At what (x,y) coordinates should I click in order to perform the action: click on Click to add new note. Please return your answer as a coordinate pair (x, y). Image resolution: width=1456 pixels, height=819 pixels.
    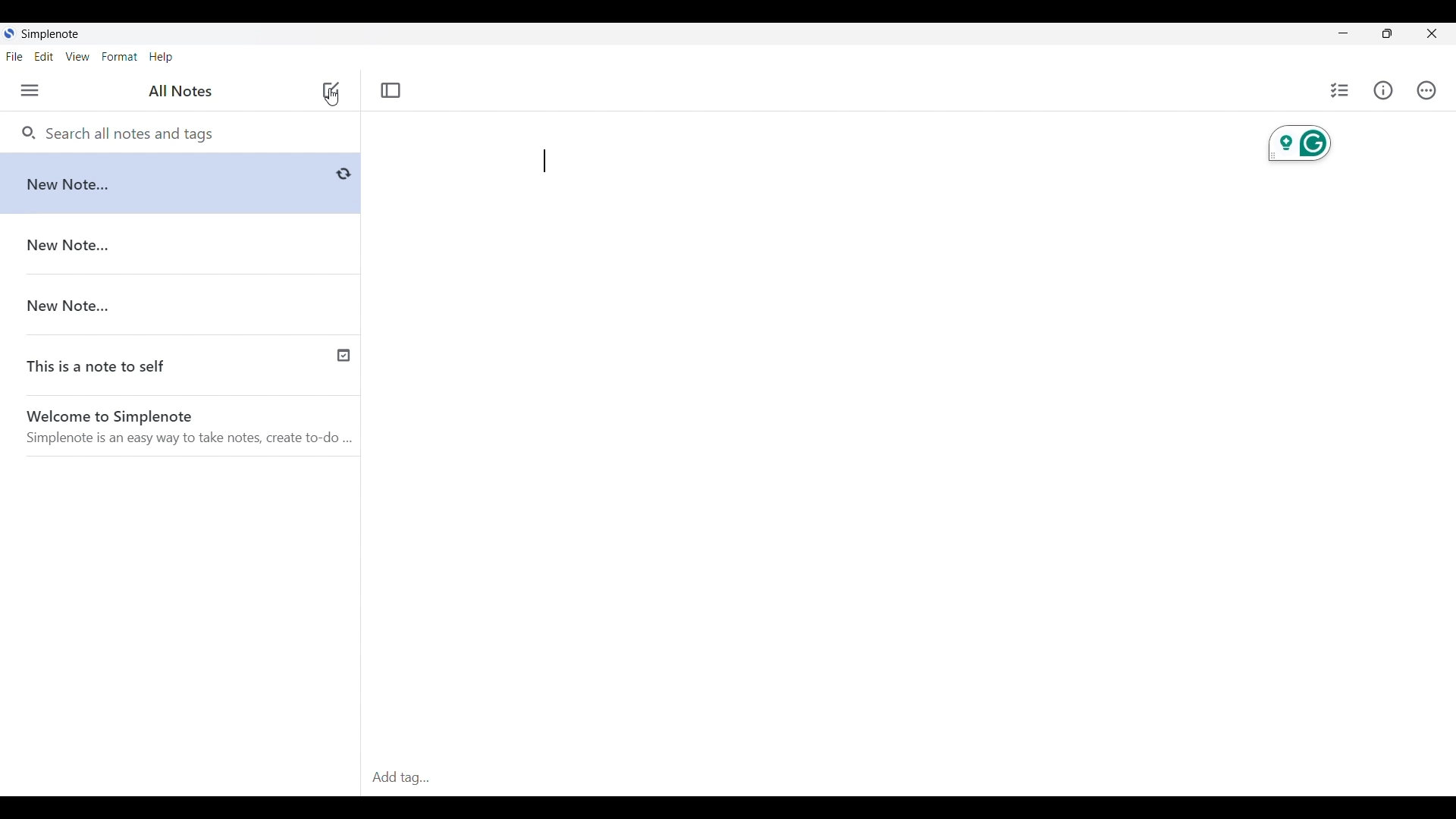
    Looking at the image, I should click on (330, 90).